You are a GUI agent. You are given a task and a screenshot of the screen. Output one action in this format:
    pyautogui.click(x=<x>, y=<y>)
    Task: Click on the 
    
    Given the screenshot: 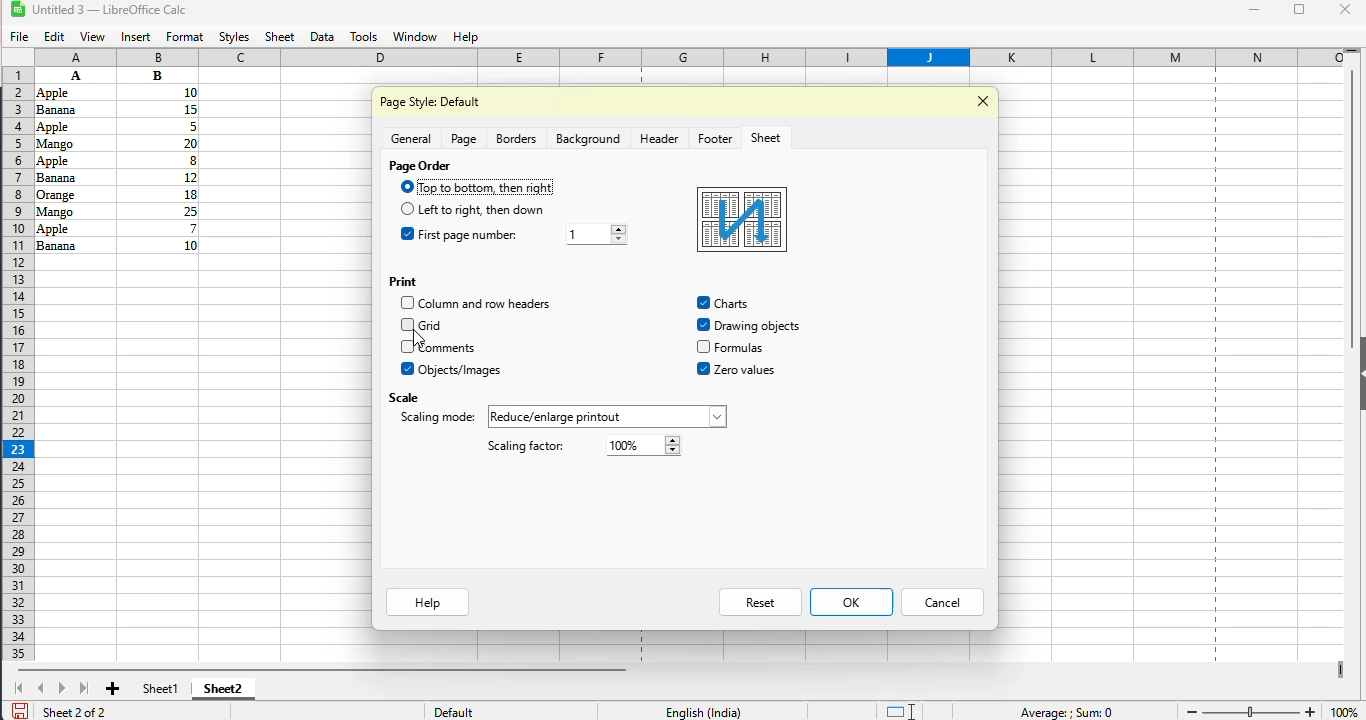 What is the action you would take?
    pyautogui.click(x=76, y=228)
    